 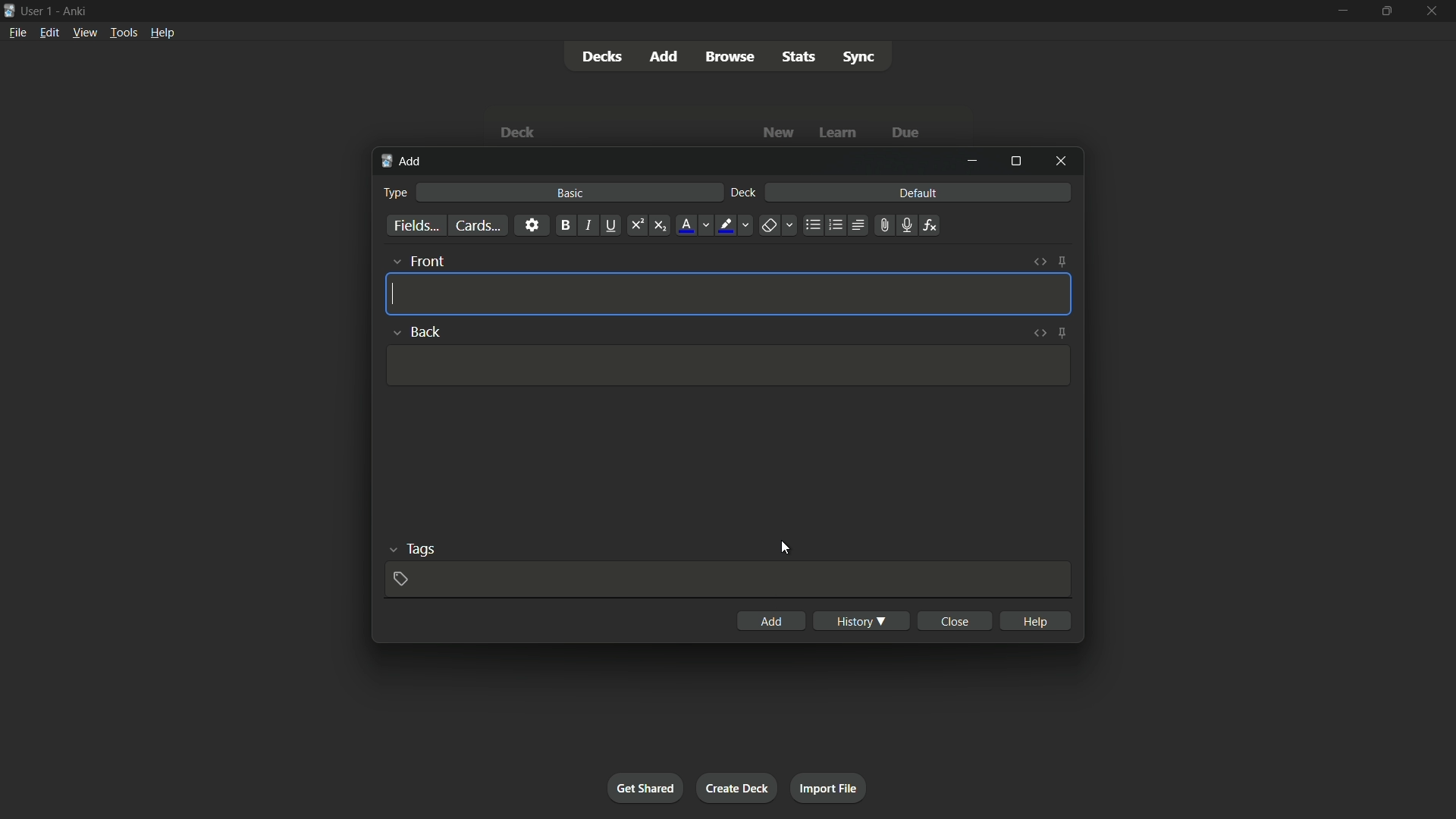 What do you see at coordinates (773, 620) in the screenshot?
I see `add` at bounding box center [773, 620].